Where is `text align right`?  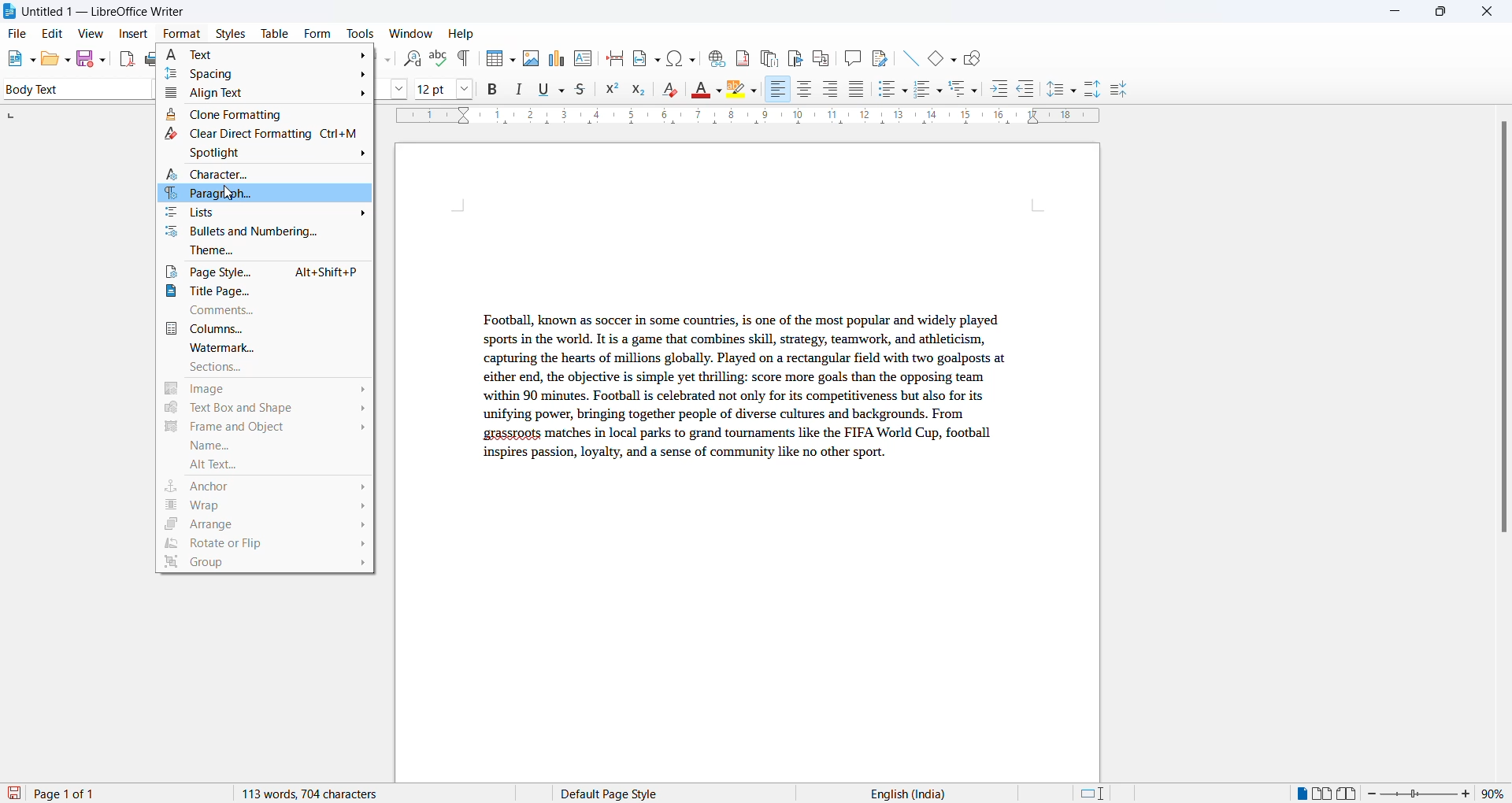
text align right is located at coordinates (777, 90).